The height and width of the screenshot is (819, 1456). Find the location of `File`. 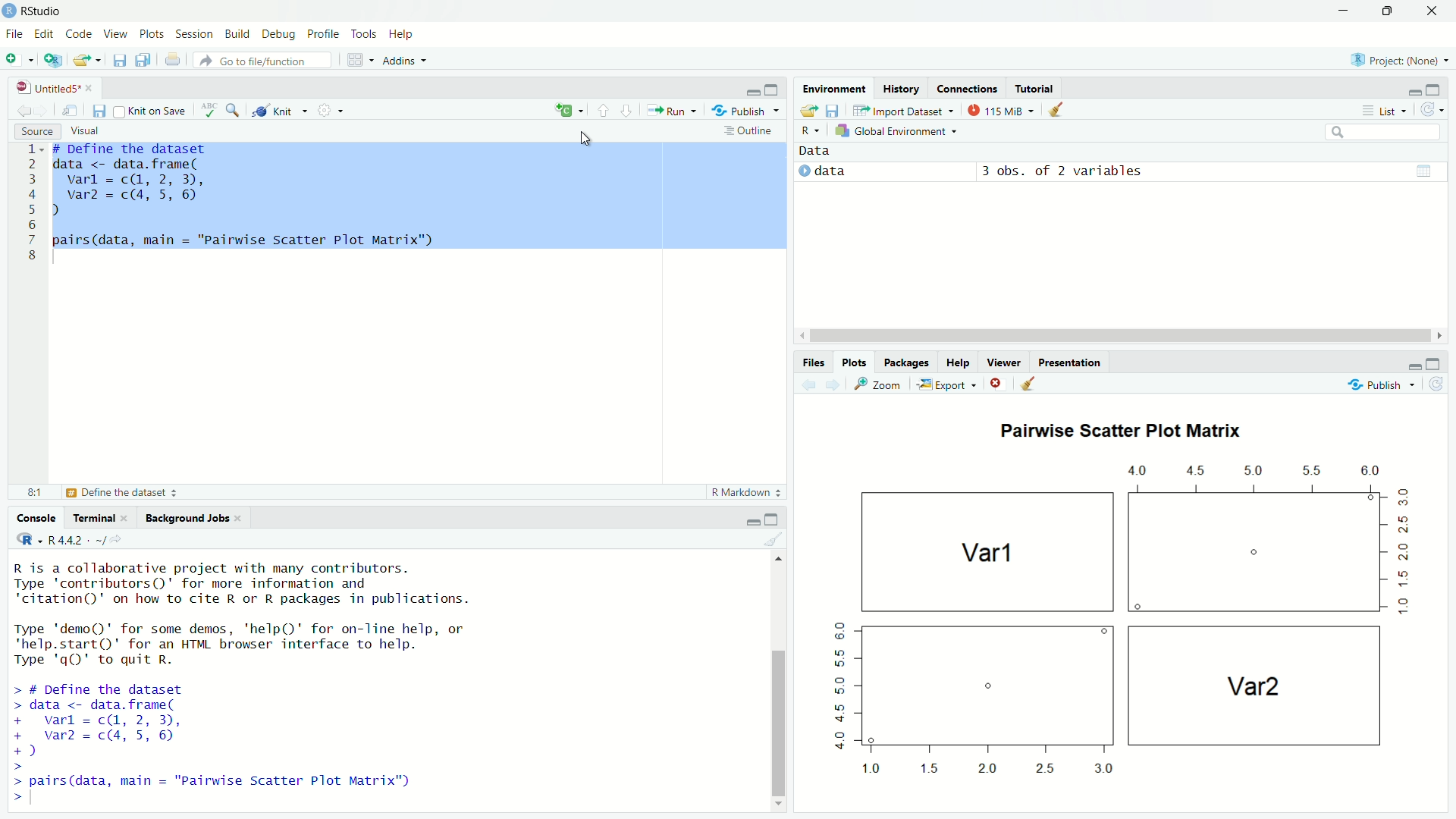

File is located at coordinates (15, 34).